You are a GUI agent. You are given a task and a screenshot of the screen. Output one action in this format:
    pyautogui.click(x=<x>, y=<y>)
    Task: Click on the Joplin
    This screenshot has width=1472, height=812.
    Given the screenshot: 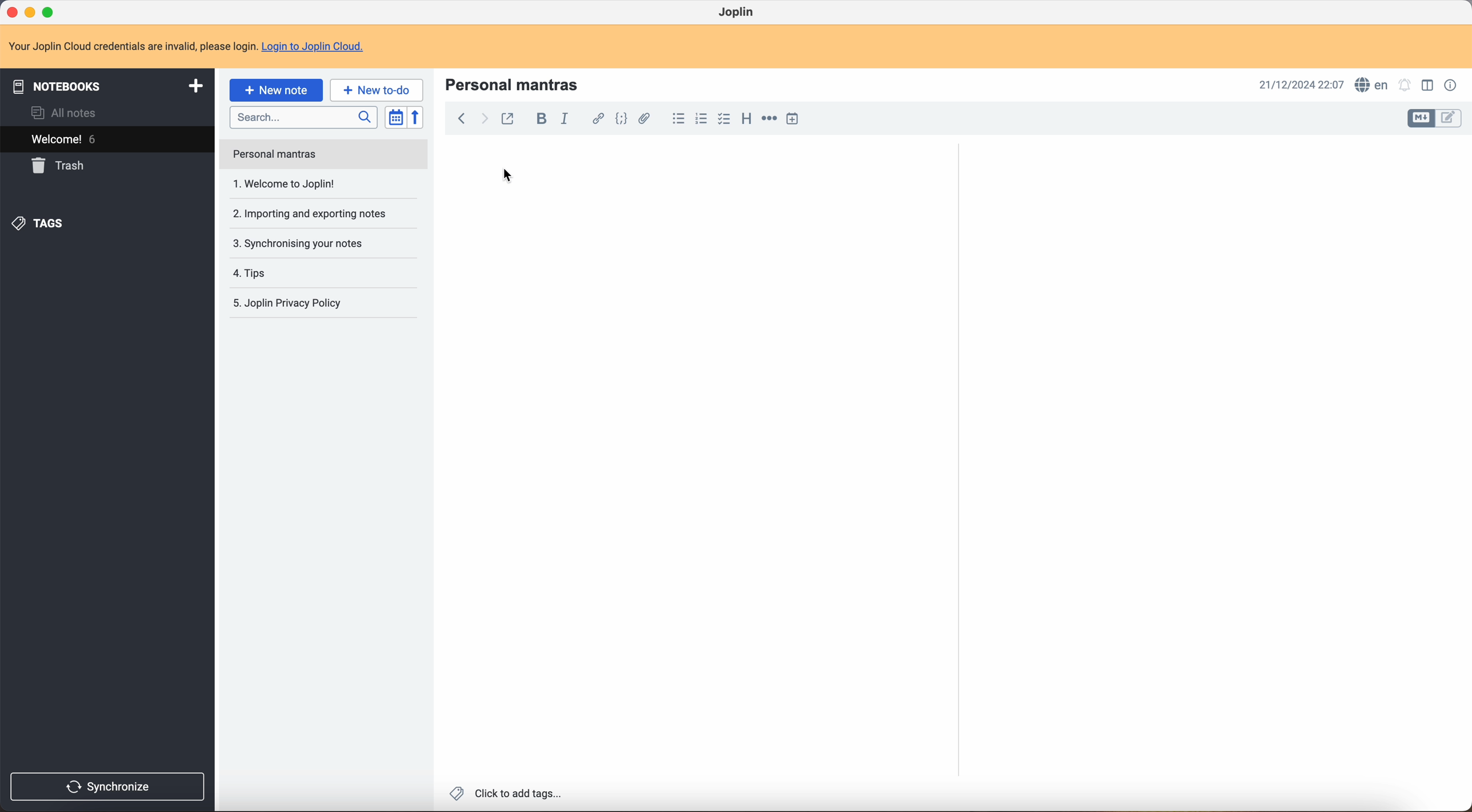 What is the action you would take?
    pyautogui.click(x=738, y=11)
    